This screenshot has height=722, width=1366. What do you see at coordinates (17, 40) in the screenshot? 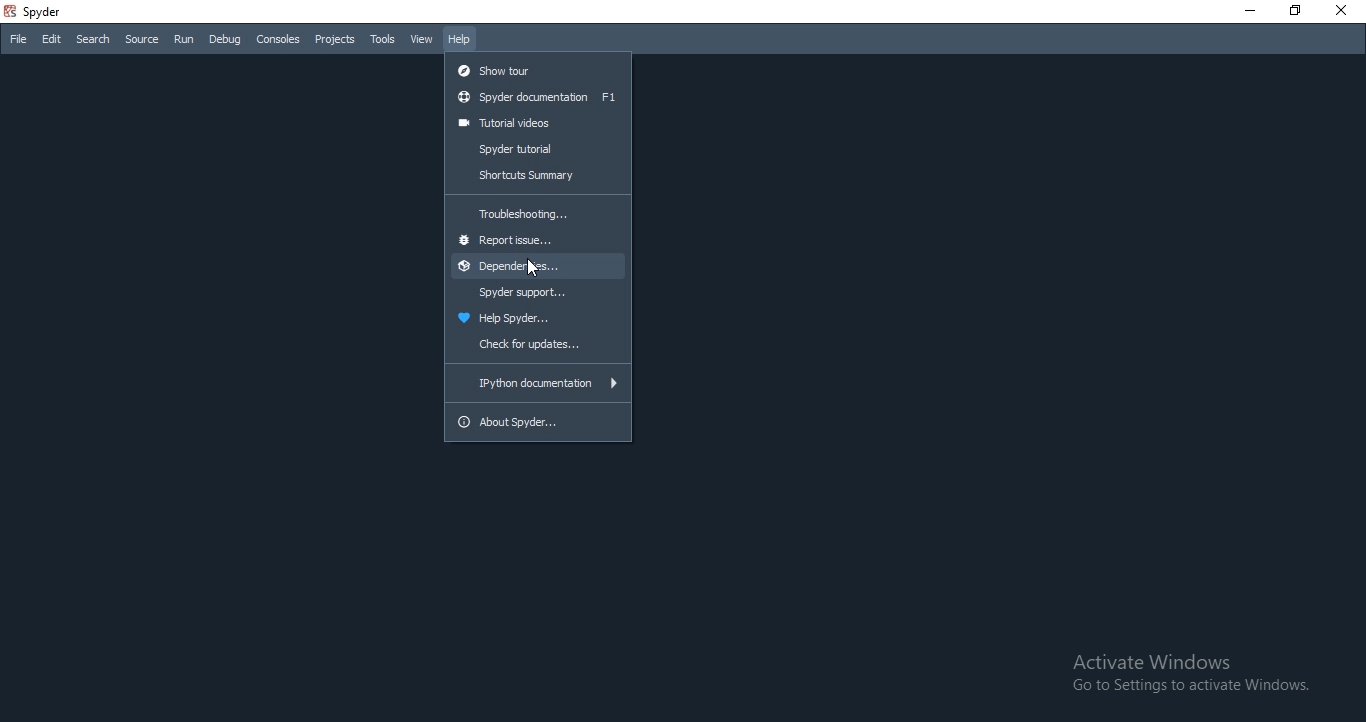
I see `File ` at bounding box center [17, 40].